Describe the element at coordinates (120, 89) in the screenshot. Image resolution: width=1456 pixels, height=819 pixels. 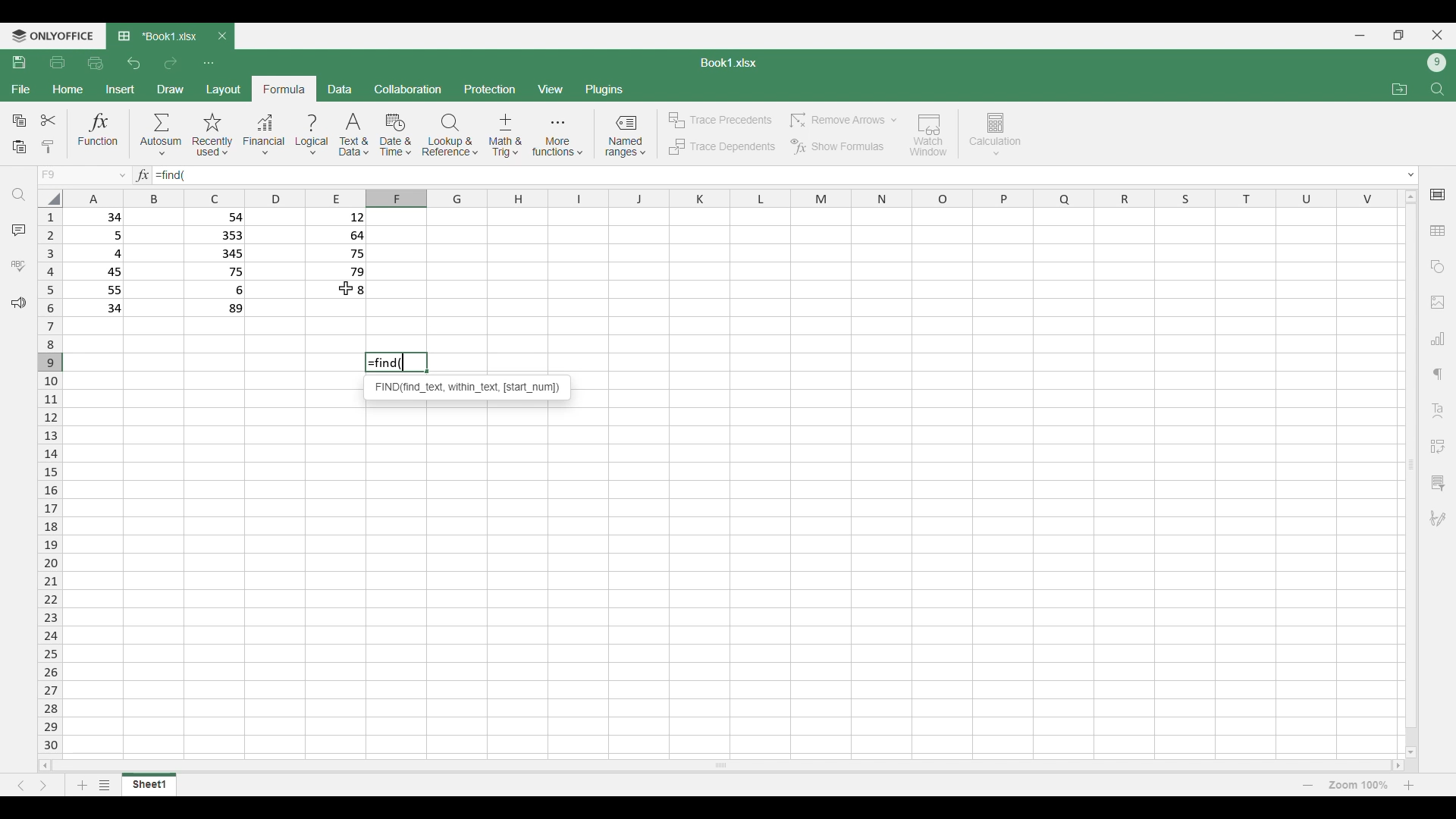
I see `Insert menu` at that location.